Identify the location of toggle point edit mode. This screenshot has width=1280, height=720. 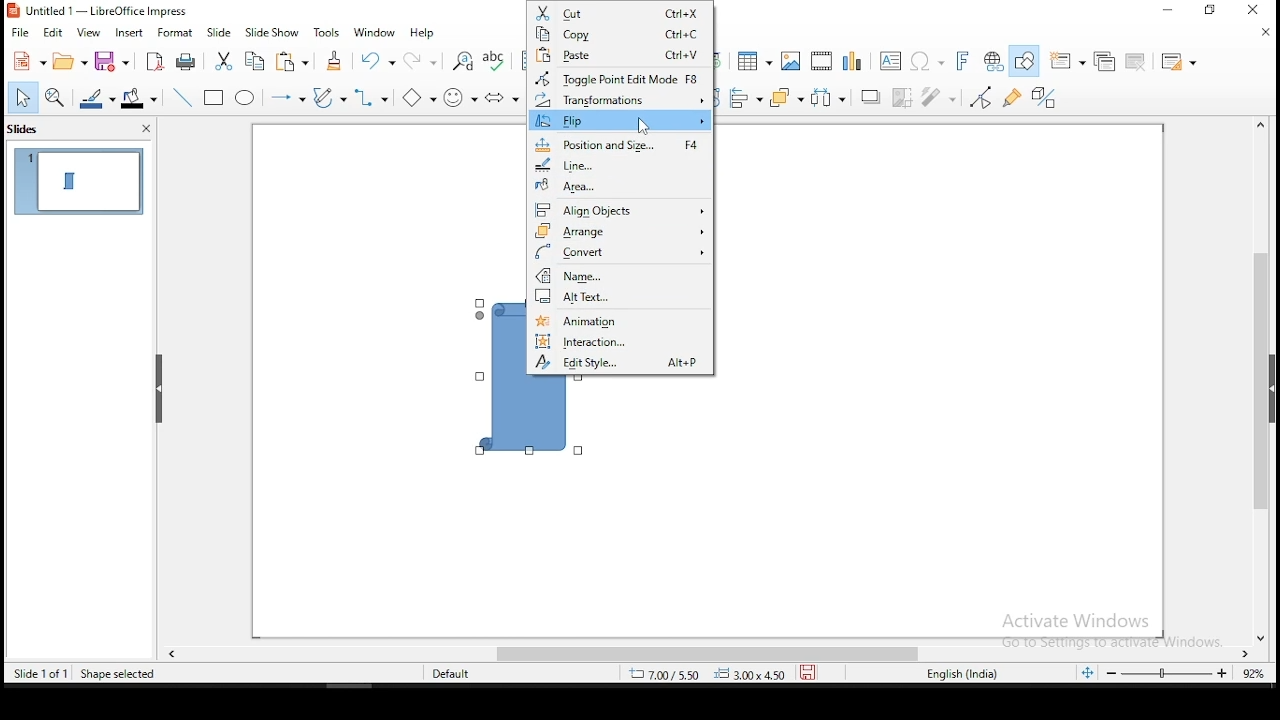
(985, 96).